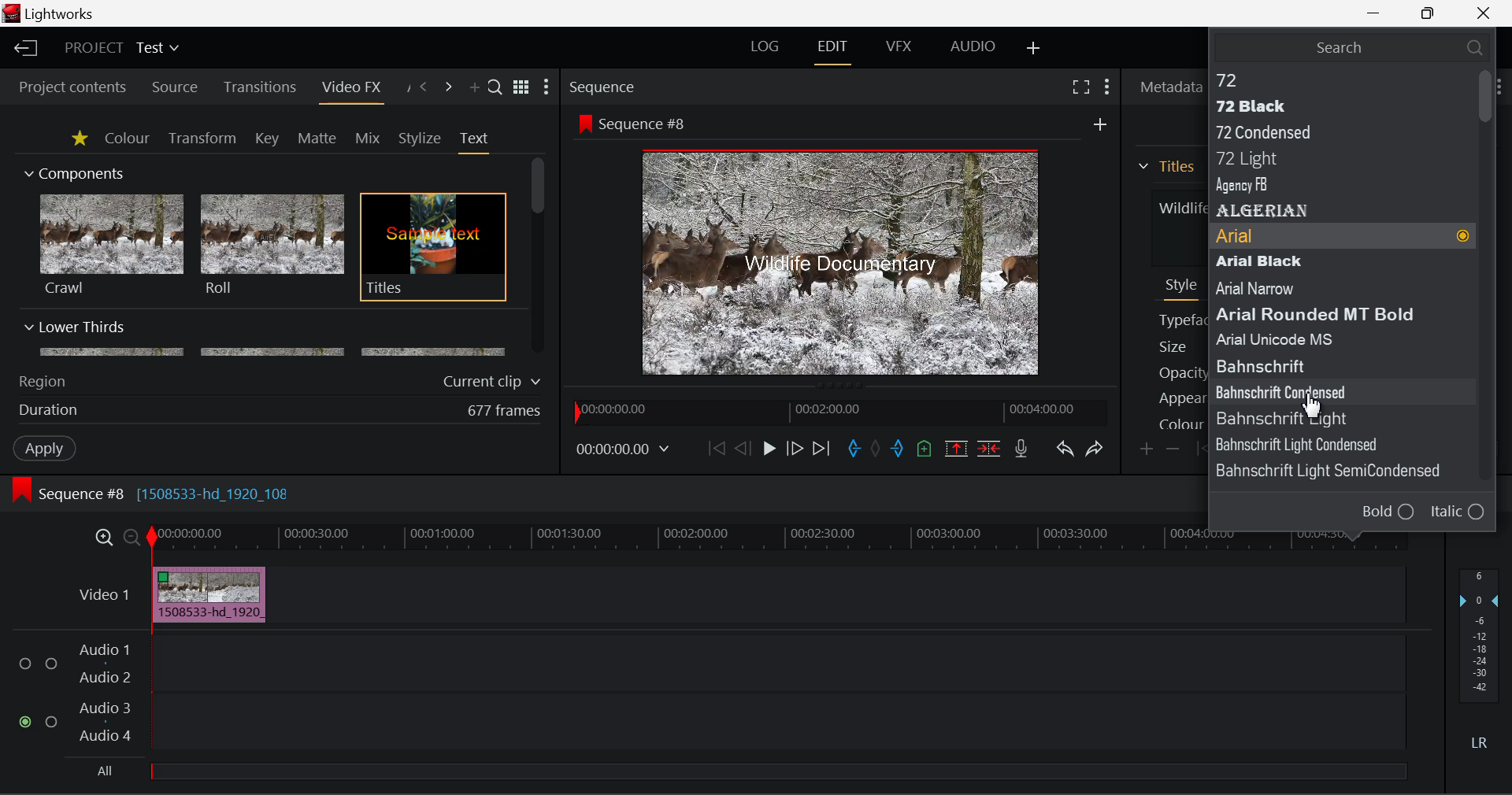 The height and width of the screenshot is (795, 1512). Describe the element at coordinates (472, 88) in the screenshot. I see `Add Panel` at that location.